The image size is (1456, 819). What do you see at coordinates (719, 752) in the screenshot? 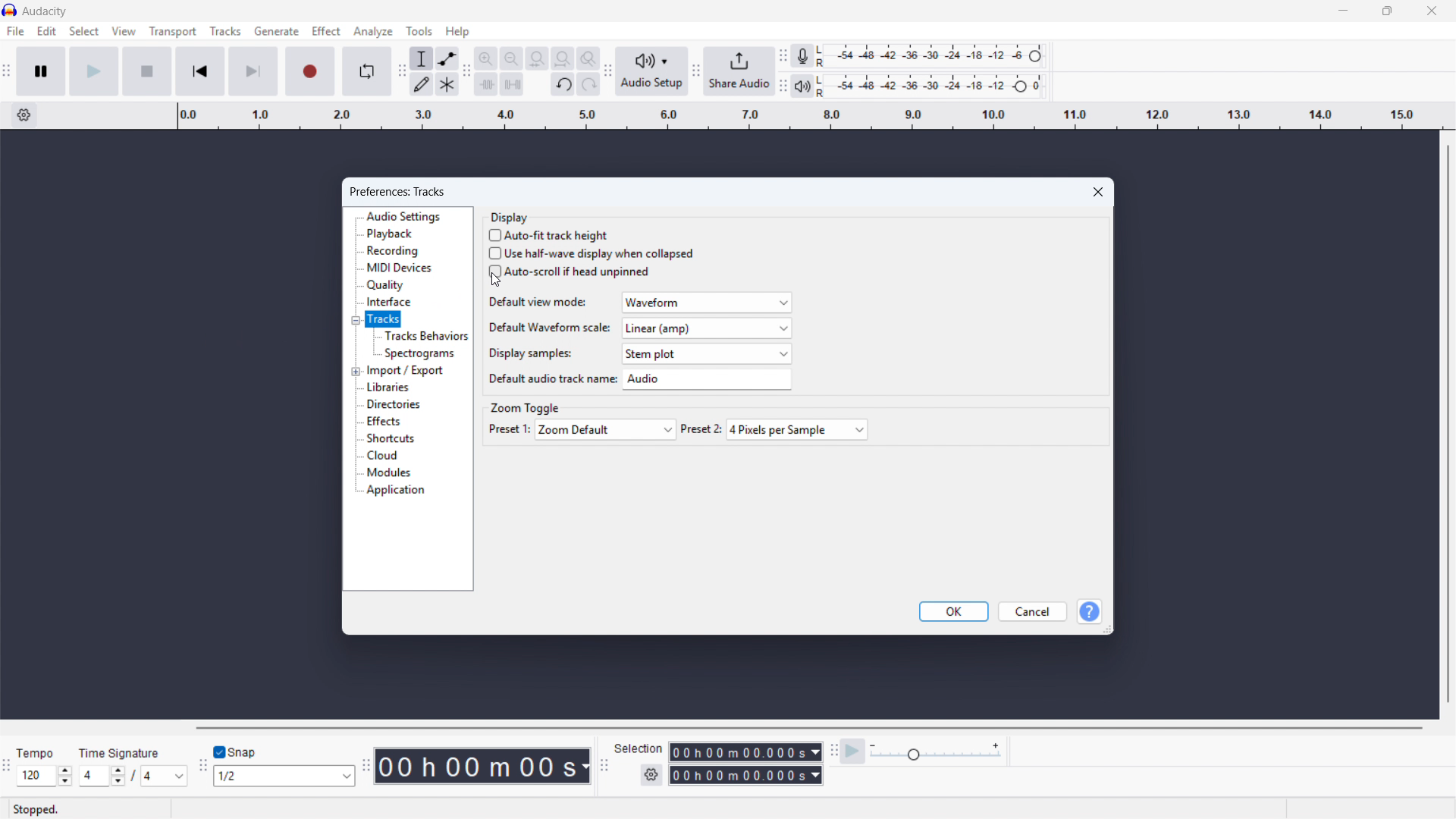
I see `start time` at bounding box center [719, 752].